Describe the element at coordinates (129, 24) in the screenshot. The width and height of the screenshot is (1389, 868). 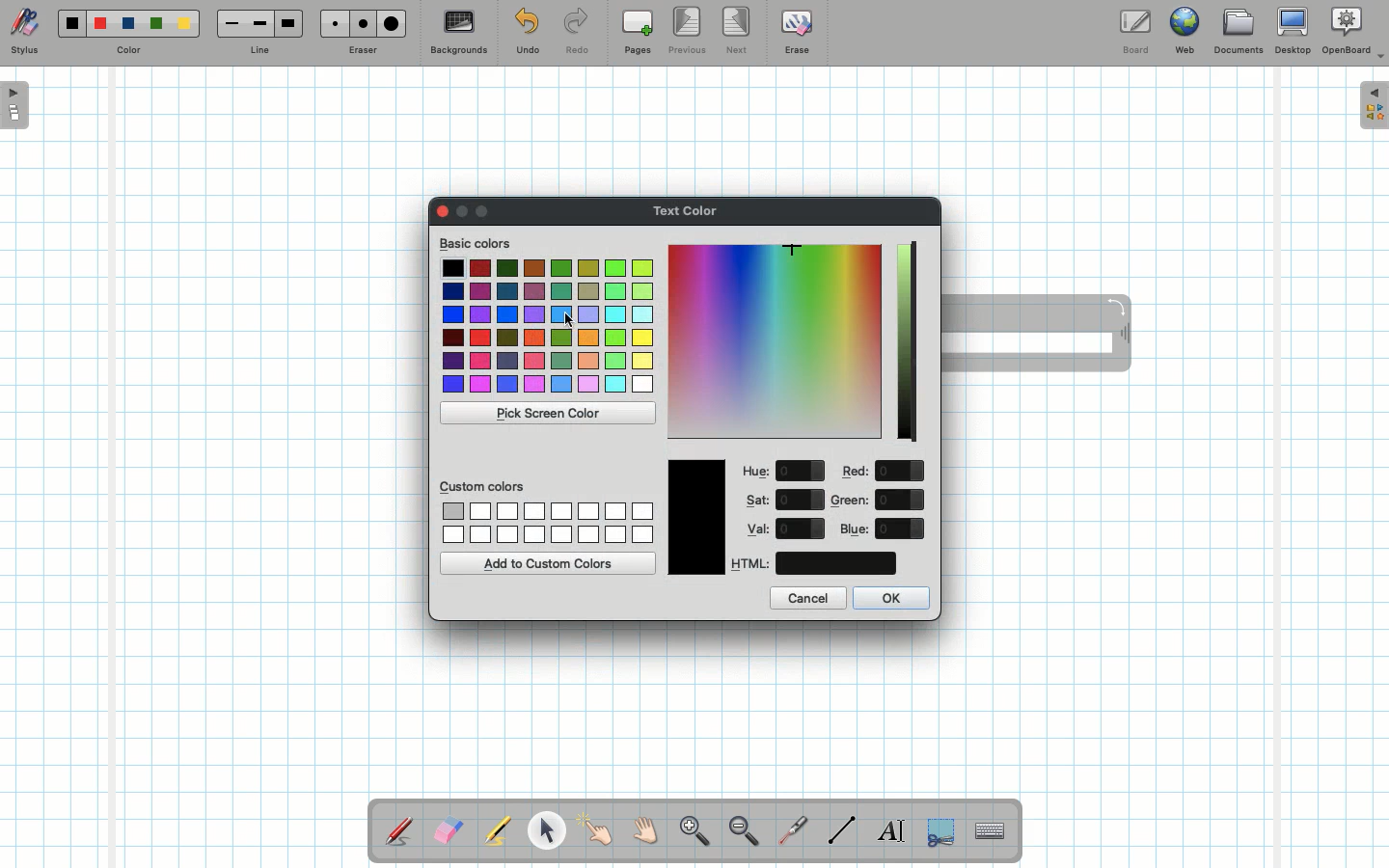
I see `Blue` at that location.